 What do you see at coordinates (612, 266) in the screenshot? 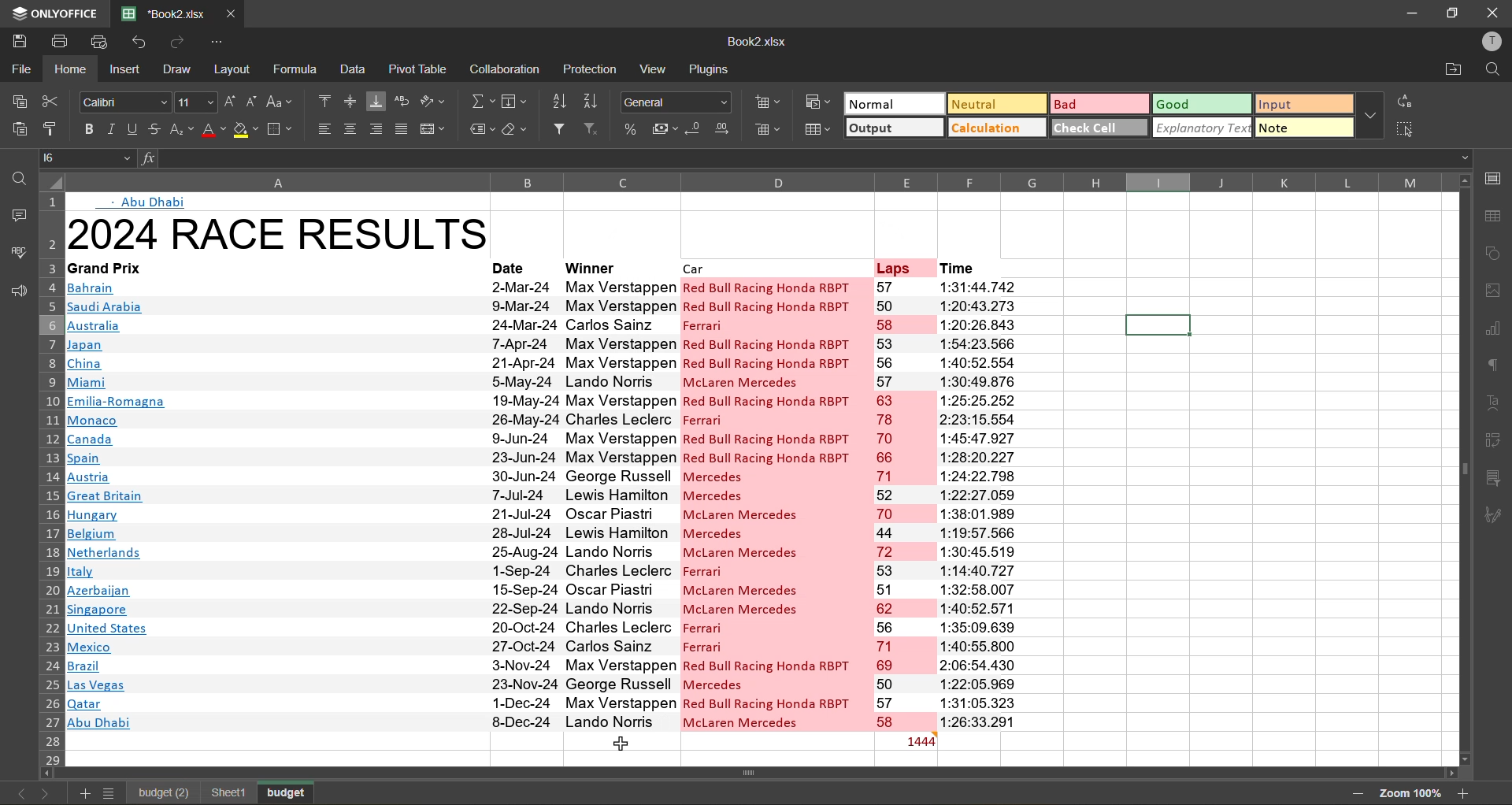
I see `winner` at bounding box center [612, 266].